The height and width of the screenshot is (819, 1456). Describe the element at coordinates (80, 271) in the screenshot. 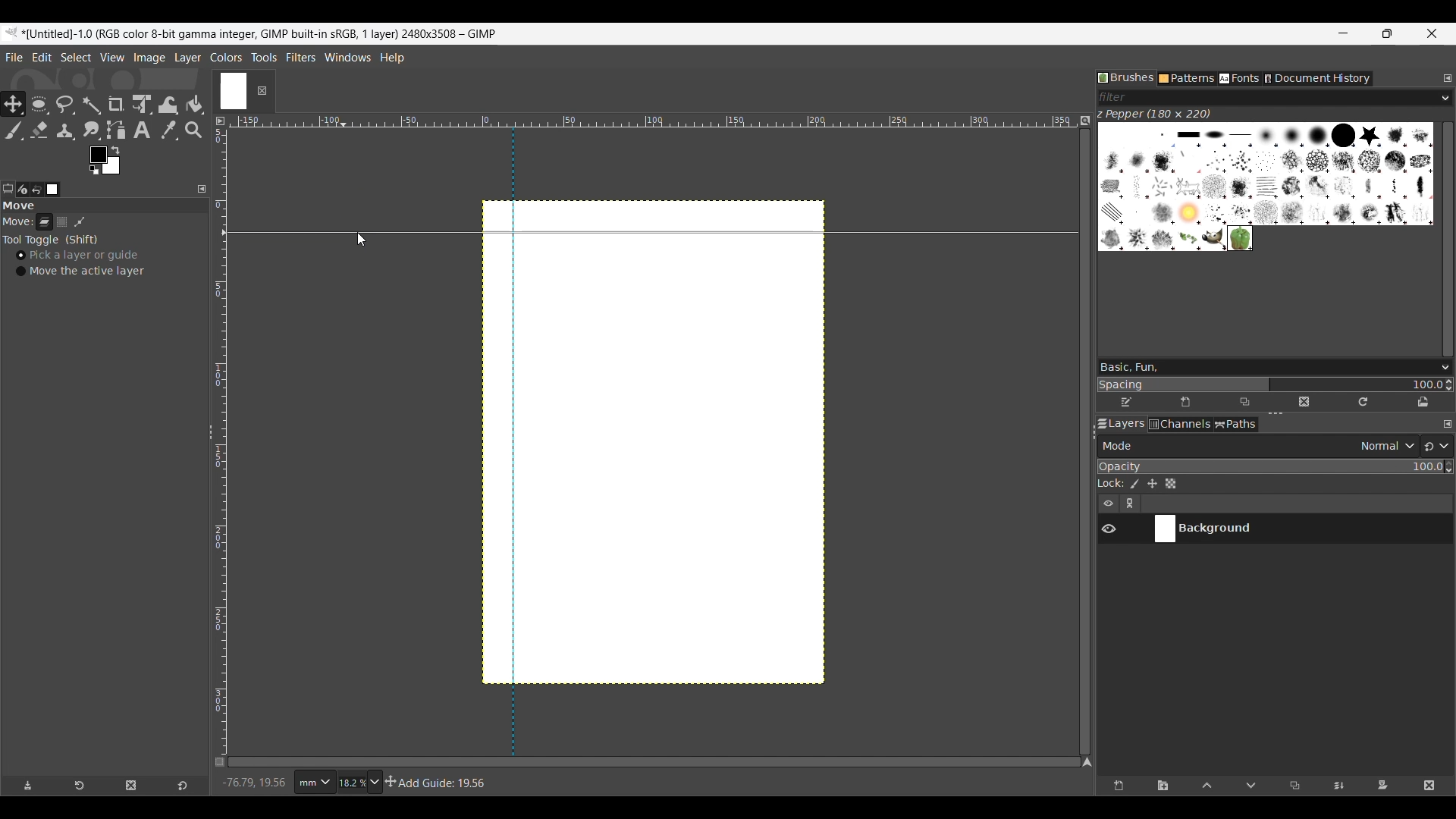

I see `Move the active layer toggle` at that location.